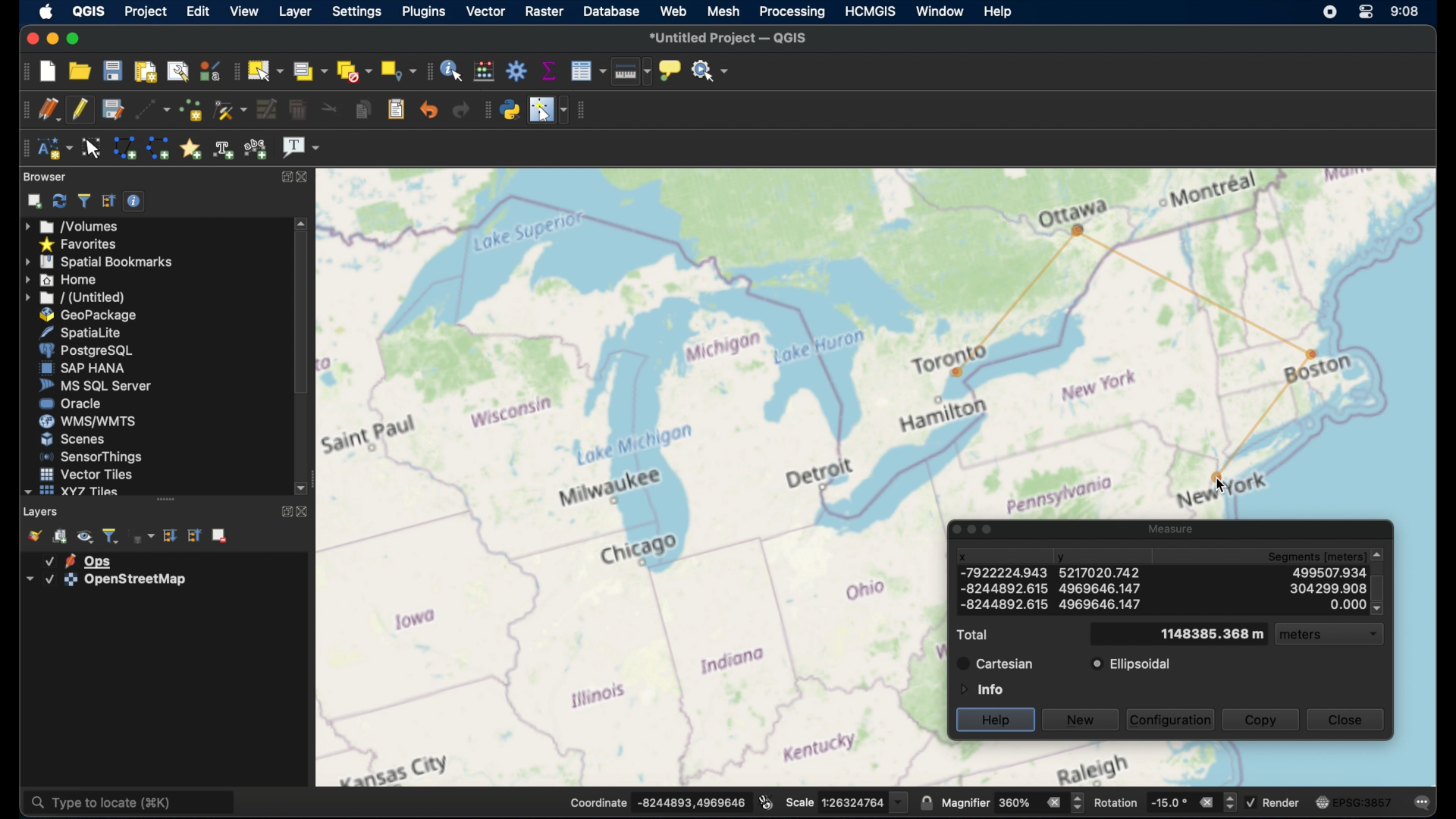  I want to click on drag handle, so click(165, 499).